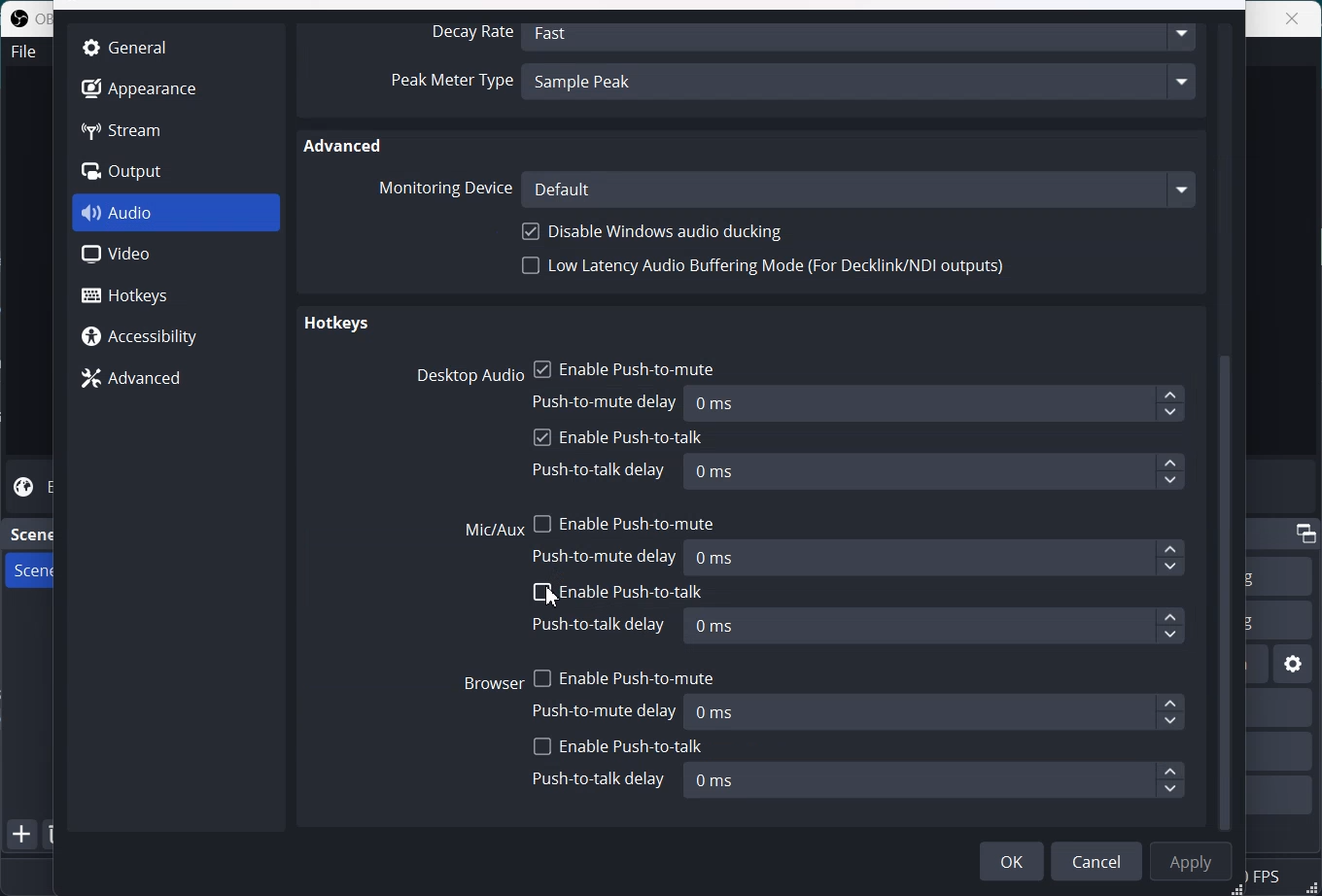 This screenshot has height=896, width=1322. What do you see at coordinates (175, 334) in the screenshot?
I see `Accessibility` at bounding box center [175, 334].